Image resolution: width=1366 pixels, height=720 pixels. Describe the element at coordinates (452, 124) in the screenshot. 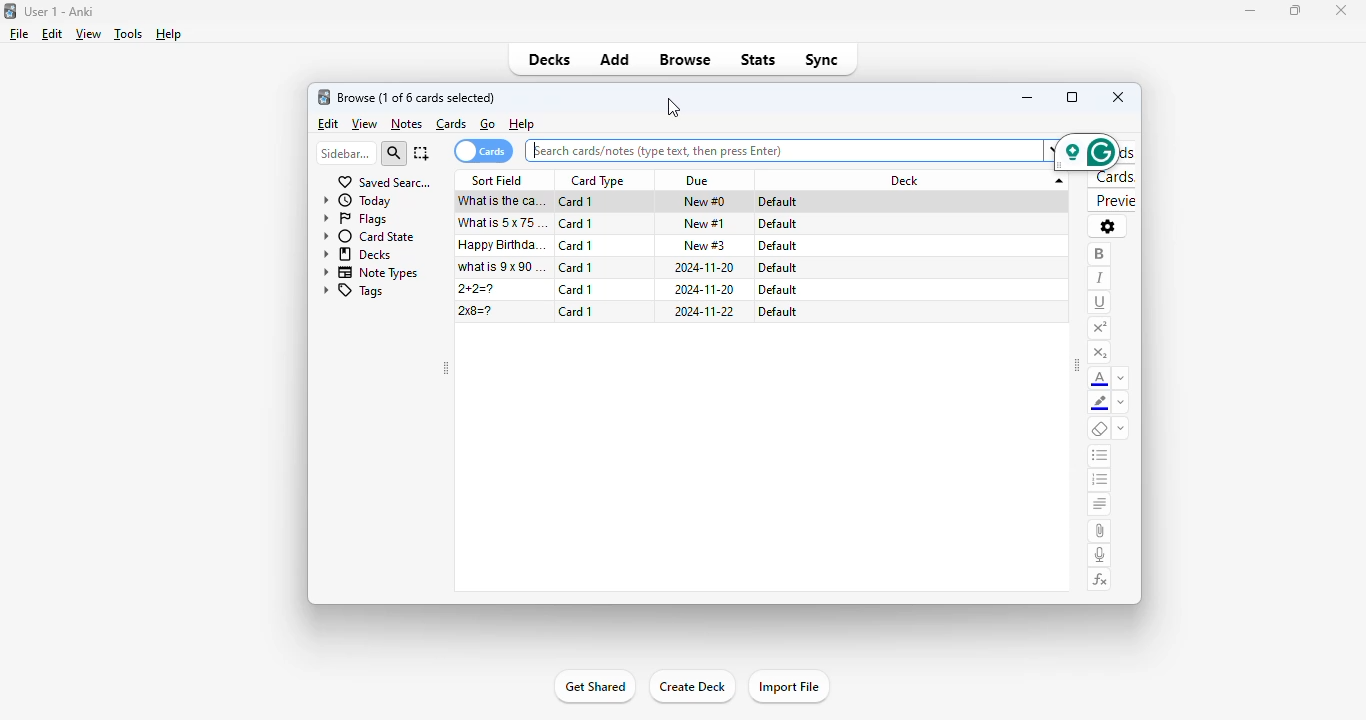

I see `cards` at that location.